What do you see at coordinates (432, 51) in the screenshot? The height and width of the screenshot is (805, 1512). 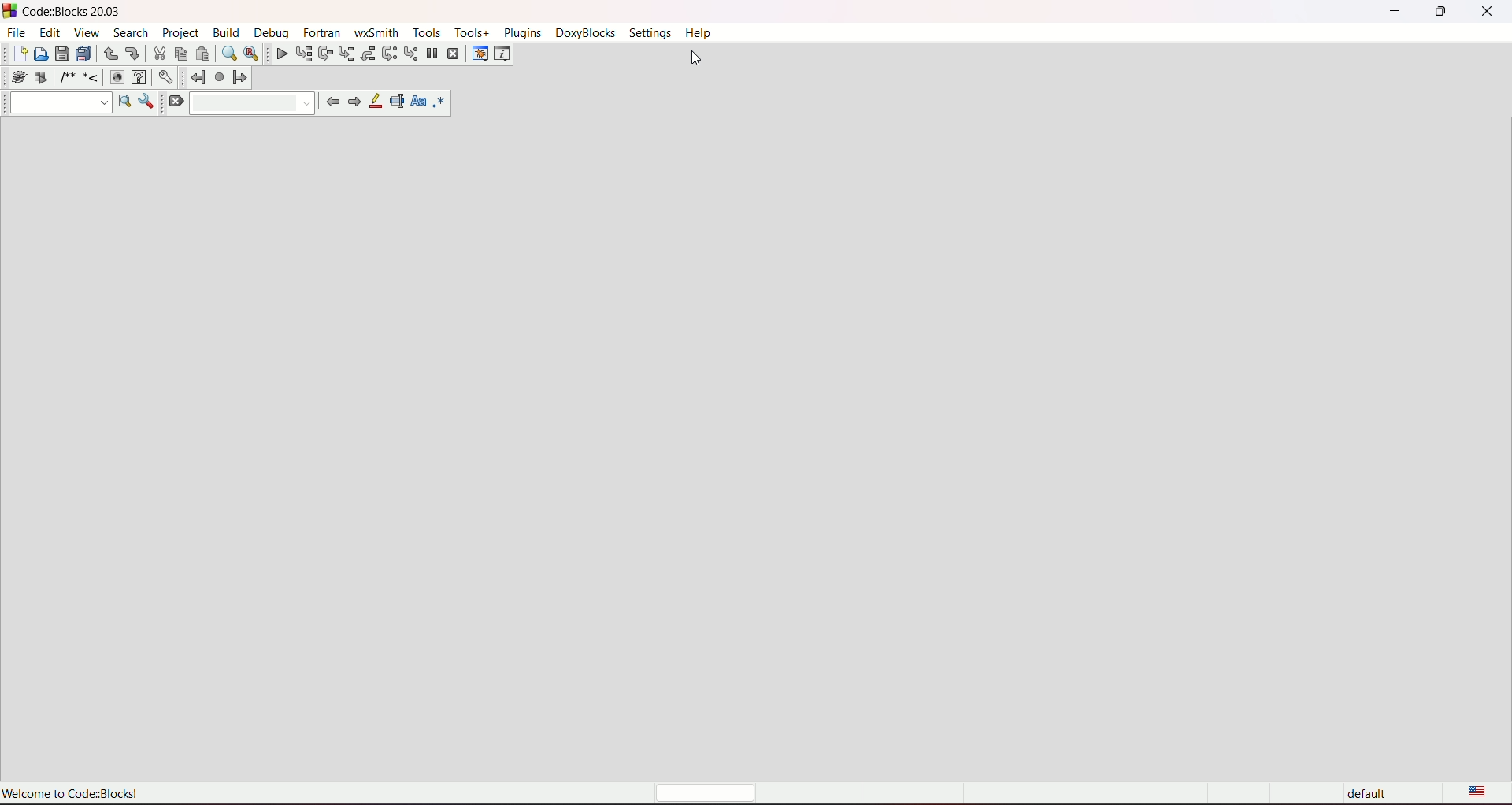 I see `break debugger` at bounding box center [432, 51].